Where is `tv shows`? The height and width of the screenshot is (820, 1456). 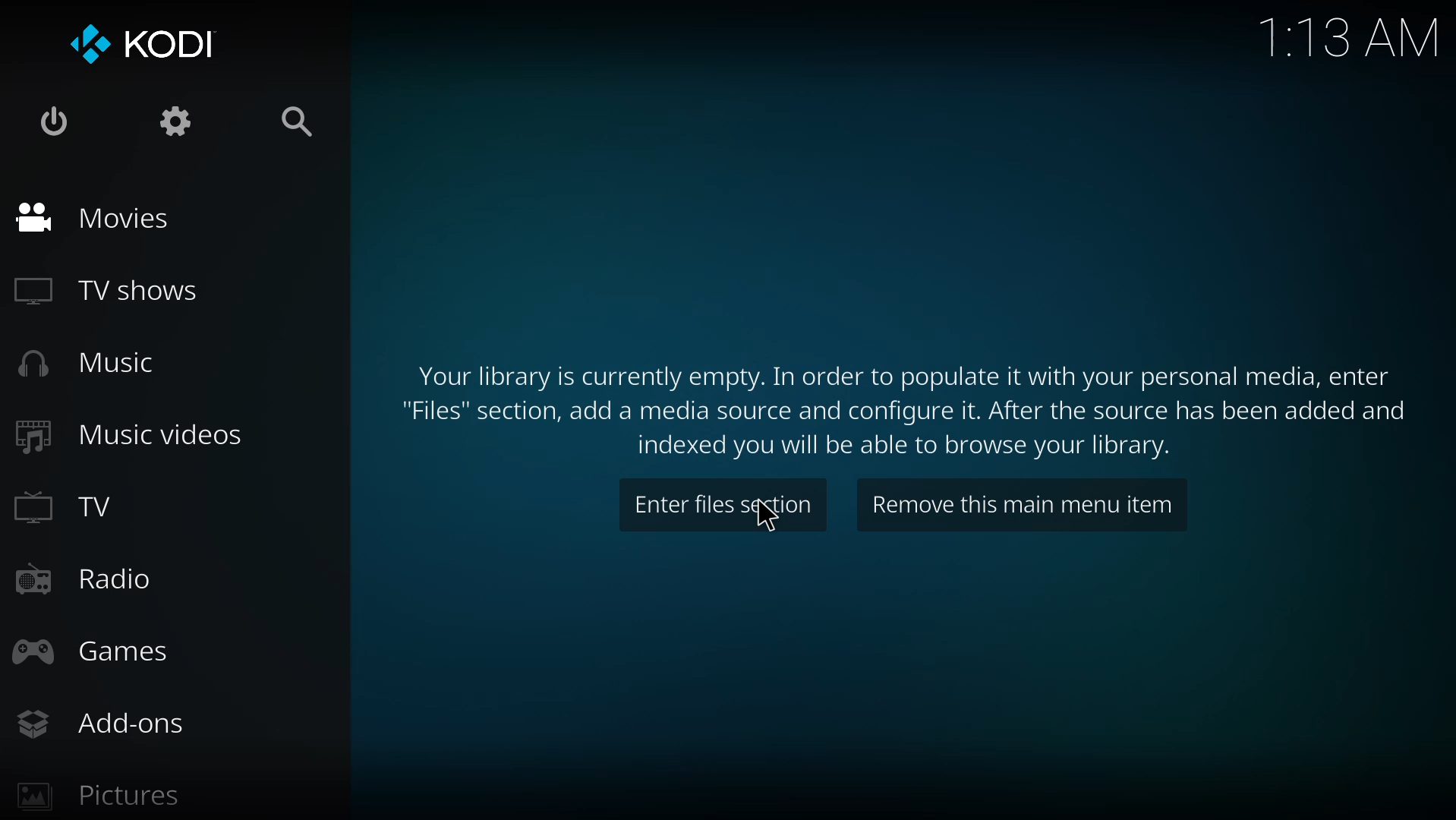
tv shows is located at coordinates (112, 285).